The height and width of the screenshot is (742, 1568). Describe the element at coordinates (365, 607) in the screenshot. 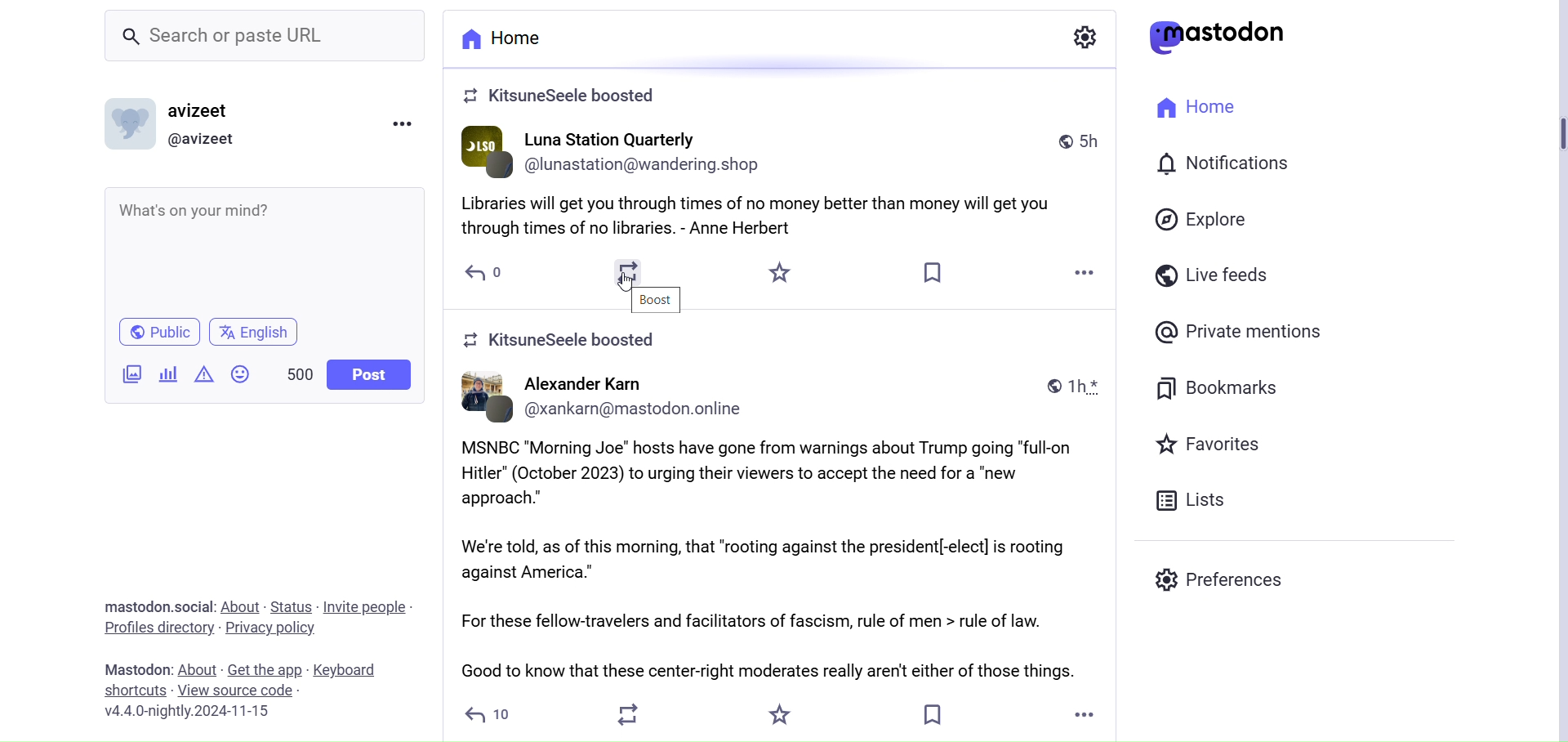

I see `Invite People` at that location.